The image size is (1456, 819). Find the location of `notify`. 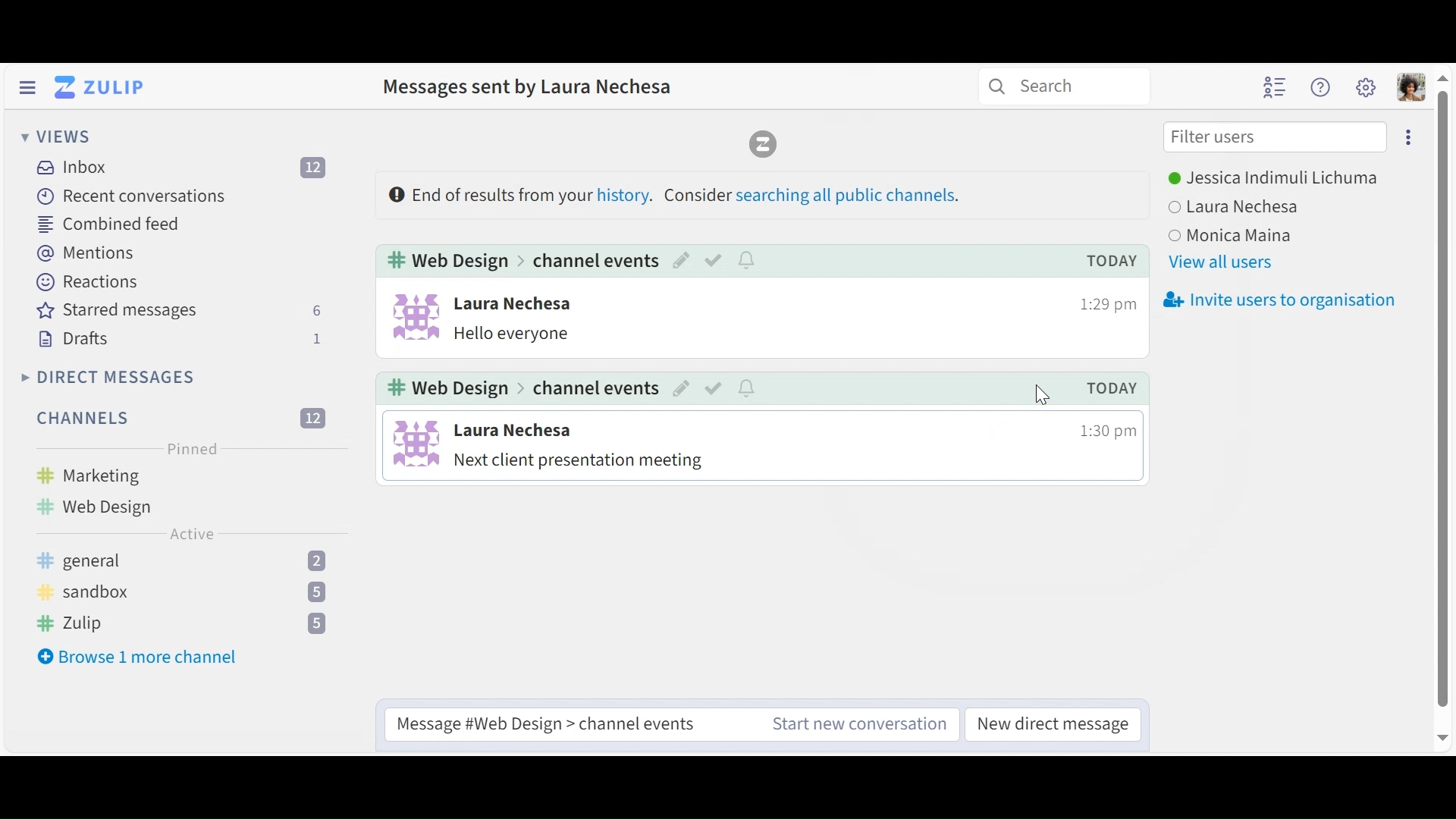

notify is located at coordinates (745, 387).